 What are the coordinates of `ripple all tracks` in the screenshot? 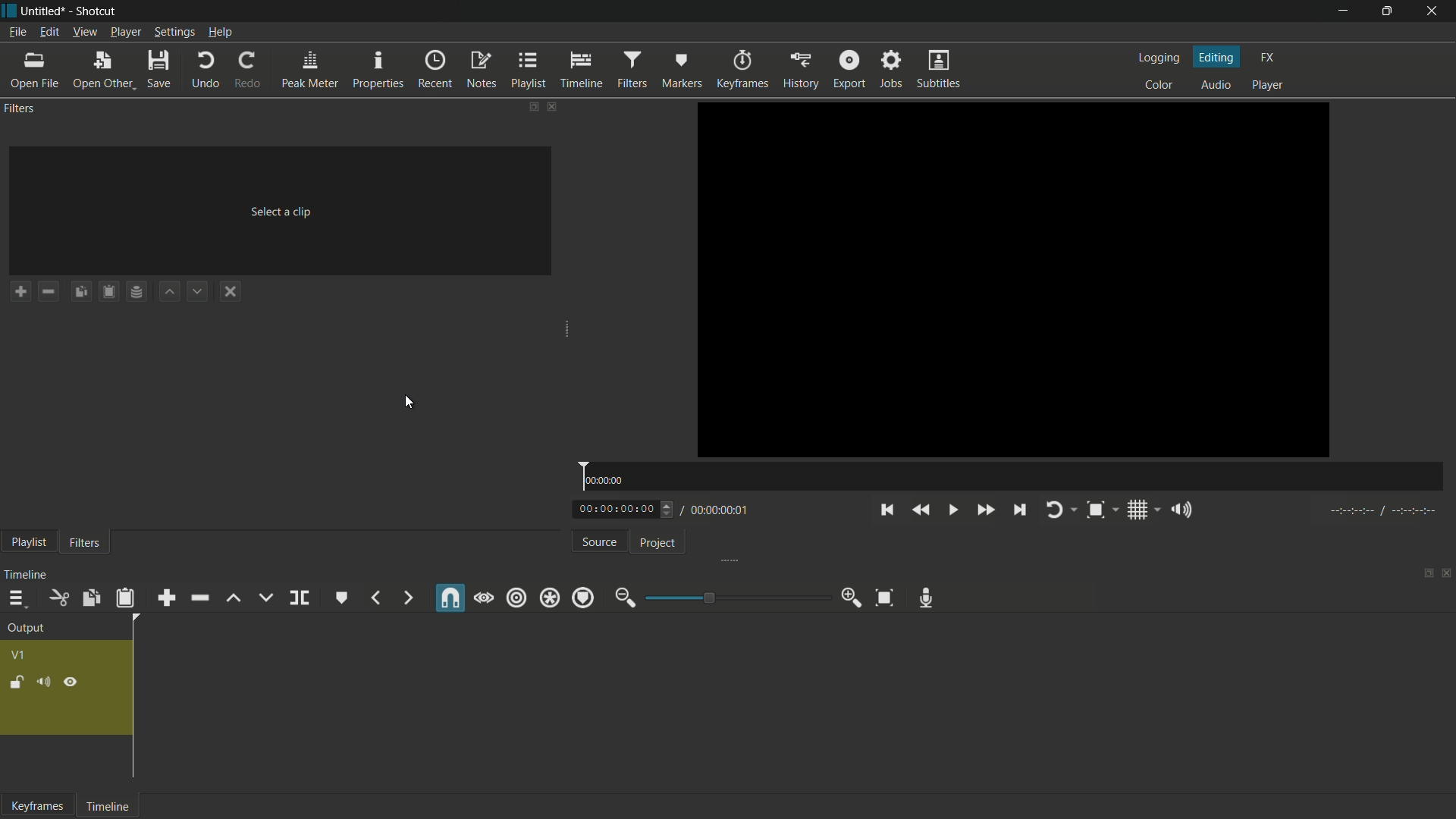 It's located at (549, 598).